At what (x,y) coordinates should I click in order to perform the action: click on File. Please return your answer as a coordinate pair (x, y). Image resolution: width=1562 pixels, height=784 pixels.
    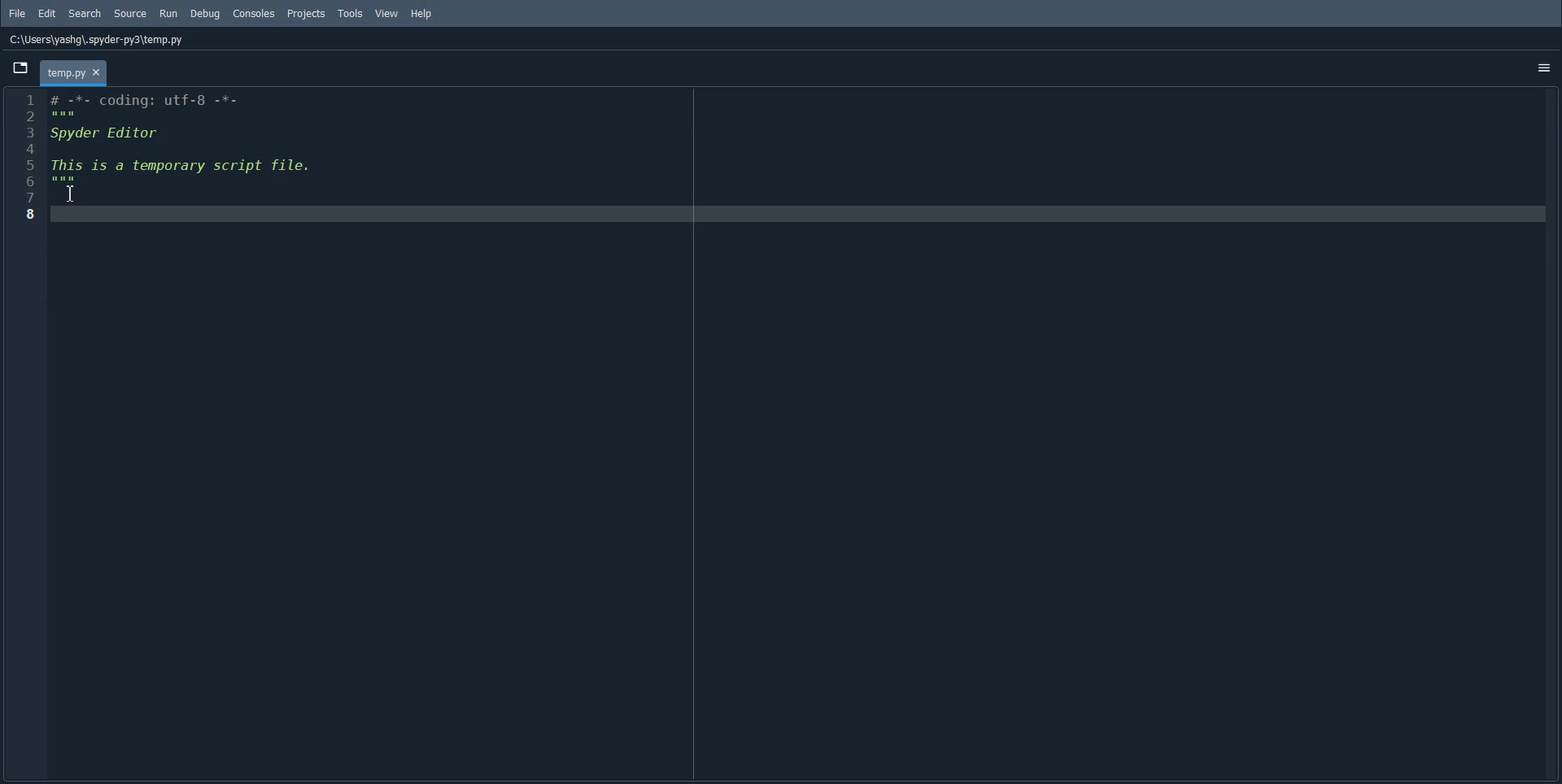
    Looking at the image, I should click on (17, 14).